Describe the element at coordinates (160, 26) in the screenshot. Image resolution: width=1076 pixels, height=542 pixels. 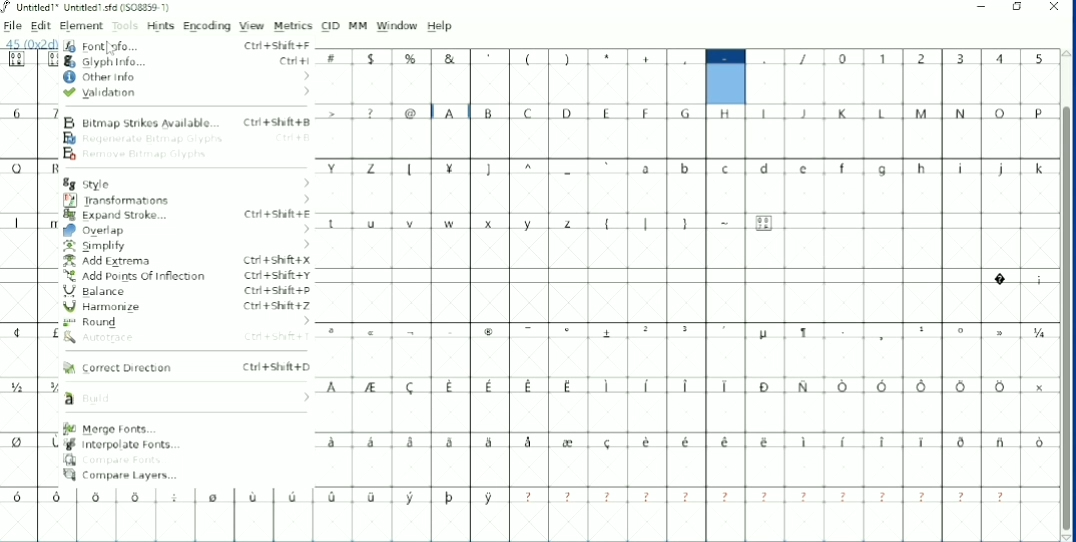
I see `Hints` at that location.